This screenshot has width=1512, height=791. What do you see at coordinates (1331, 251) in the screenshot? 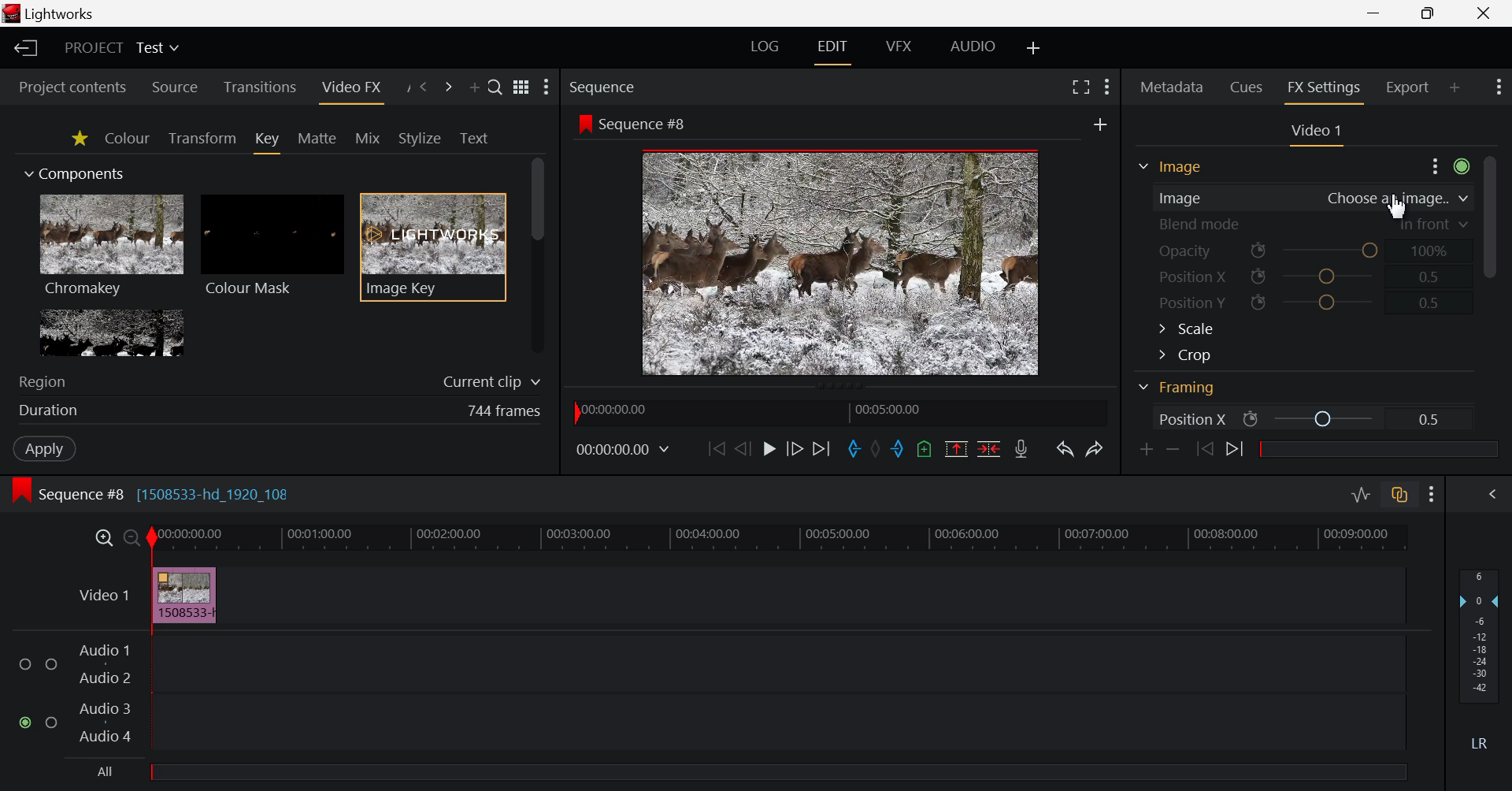
I see `Opacity ` at bounding box center [1331, 251].